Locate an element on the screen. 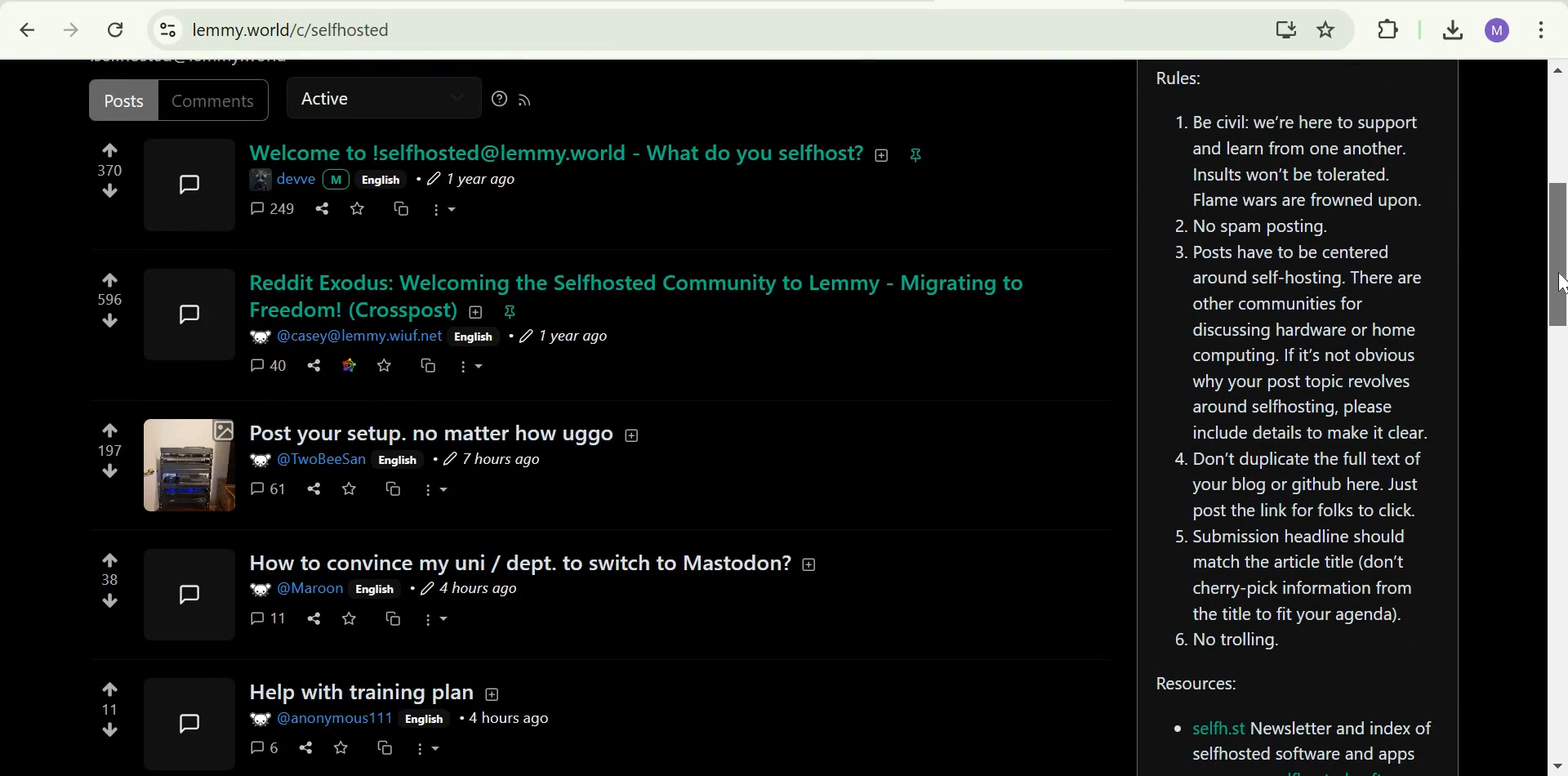 Image resolution: width=1568 pixels, height=776 pixels. Google account is located at coordinates (1499, 31).